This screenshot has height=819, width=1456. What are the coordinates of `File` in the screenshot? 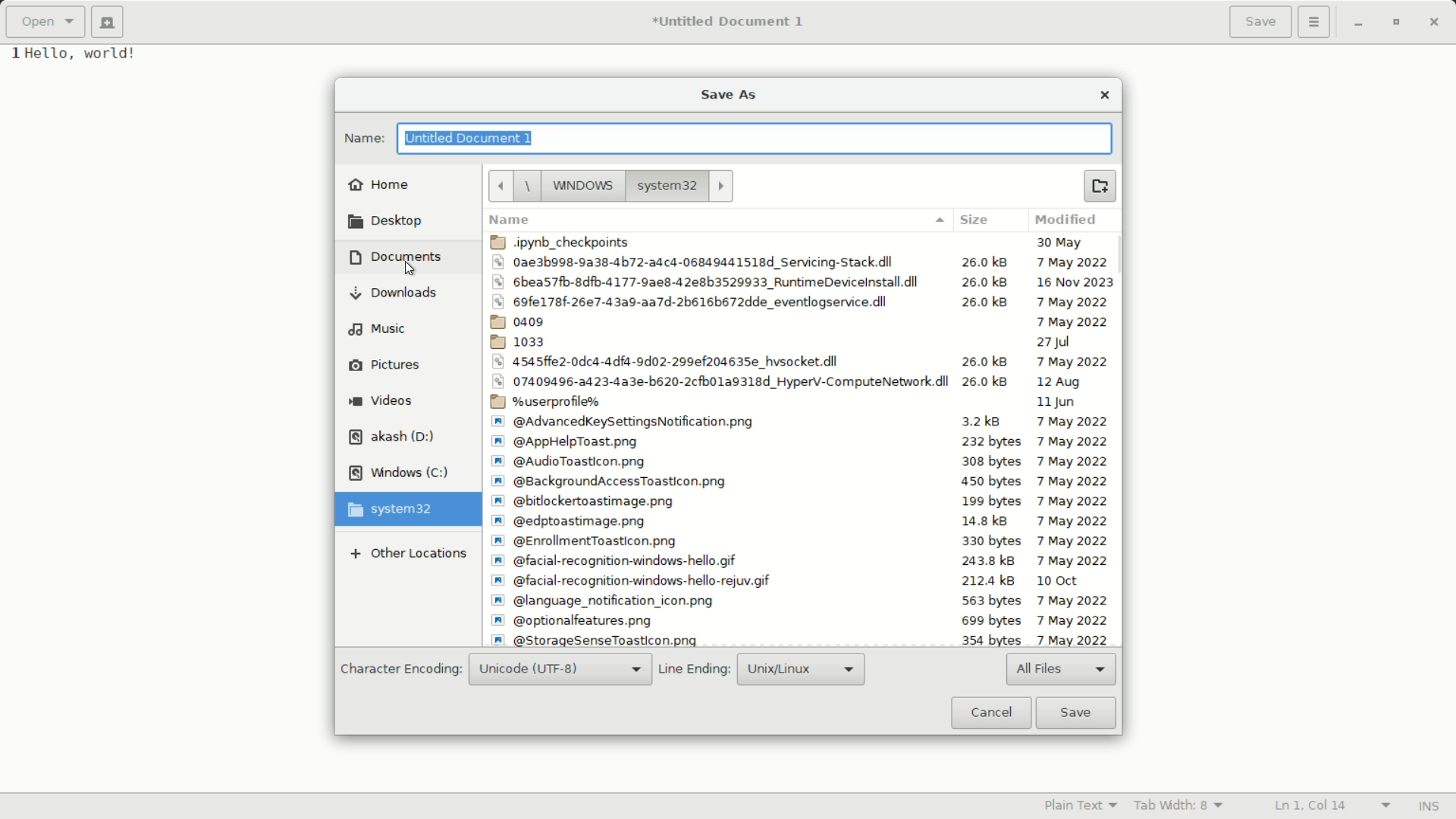 It's located at (799, 519).